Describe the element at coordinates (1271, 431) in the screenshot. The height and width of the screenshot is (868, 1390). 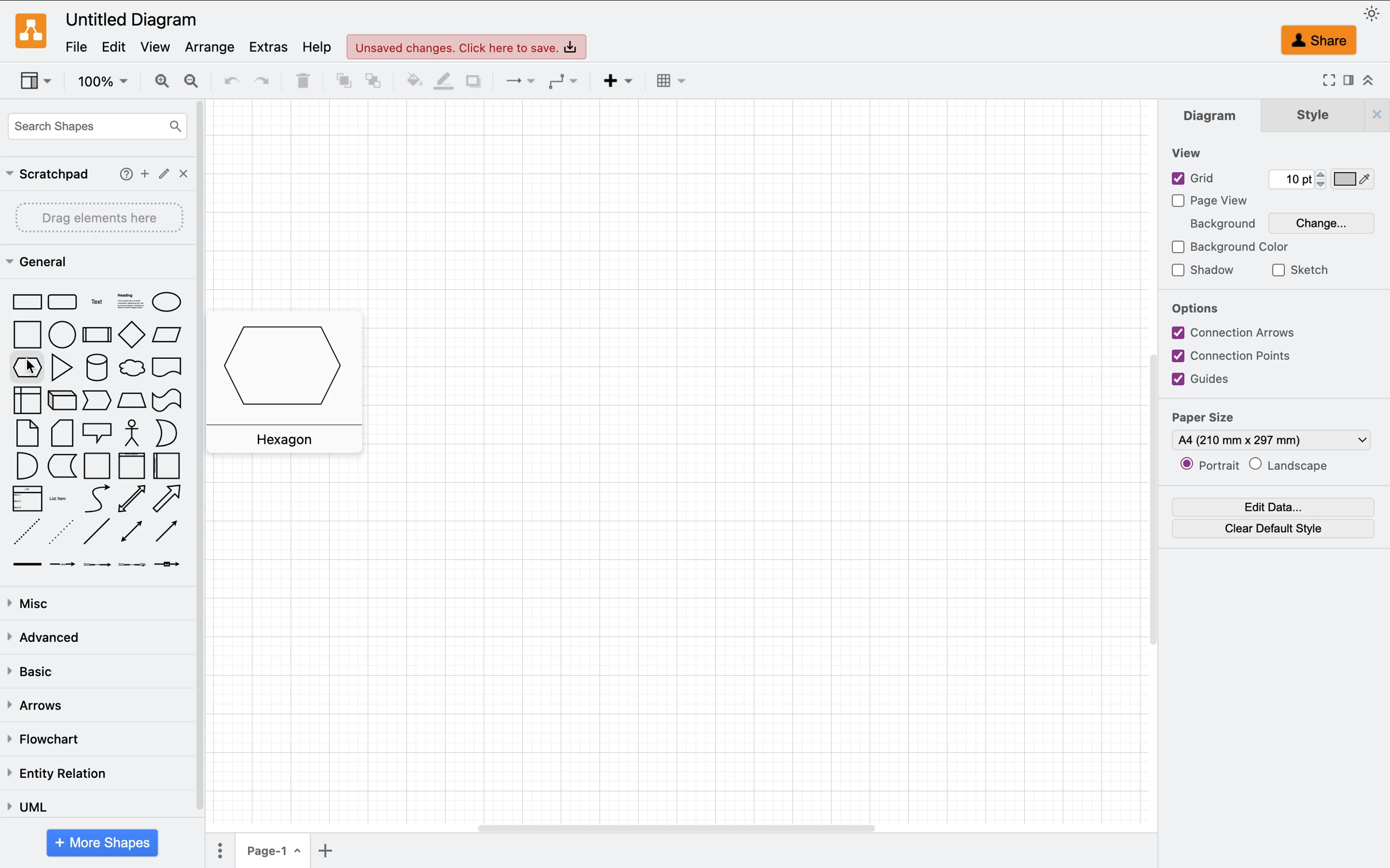
I see `paper size A4 (210 mm X 297 mm)` at that location.